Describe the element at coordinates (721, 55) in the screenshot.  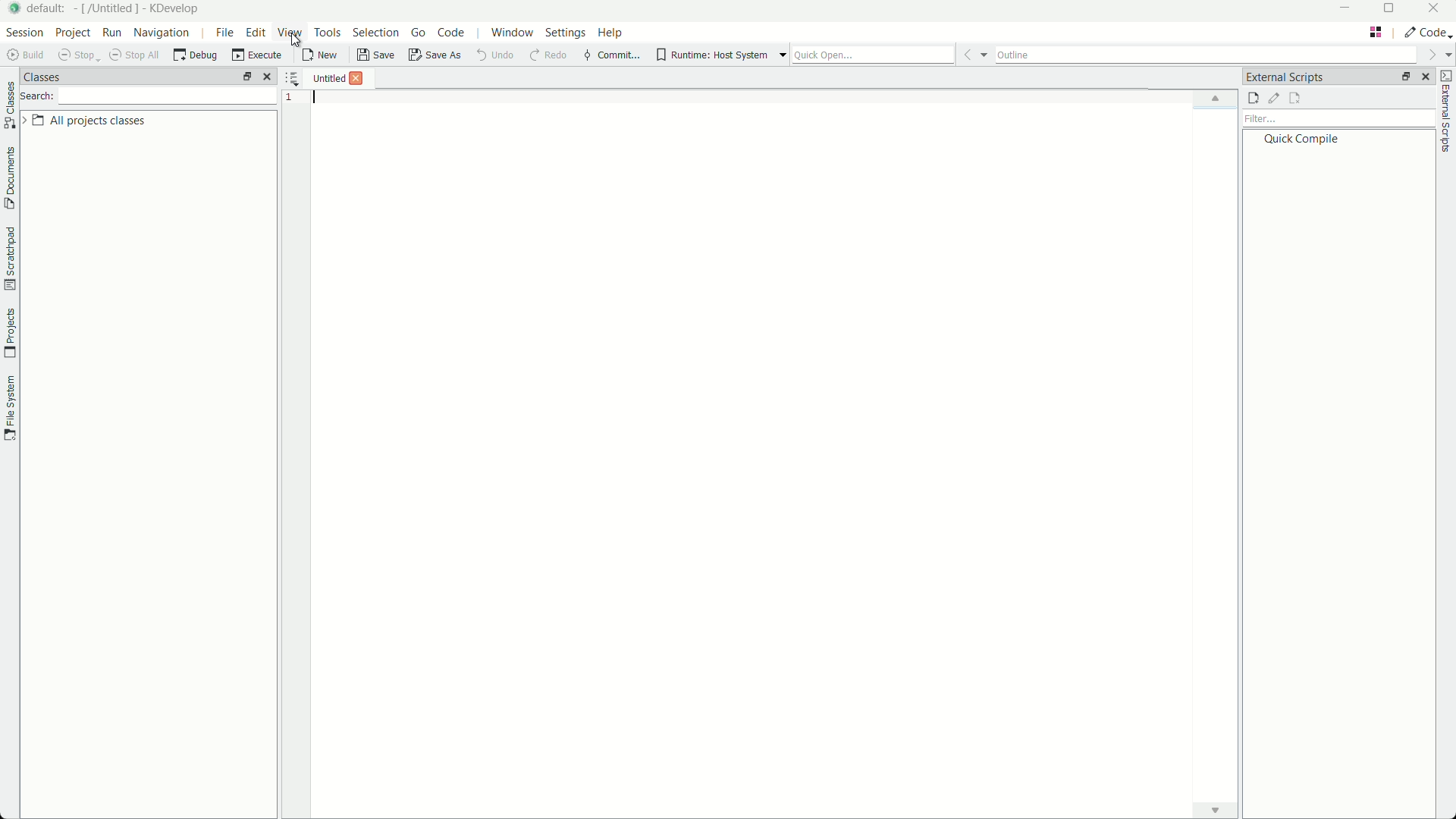
I see `runtime host system` at that location.